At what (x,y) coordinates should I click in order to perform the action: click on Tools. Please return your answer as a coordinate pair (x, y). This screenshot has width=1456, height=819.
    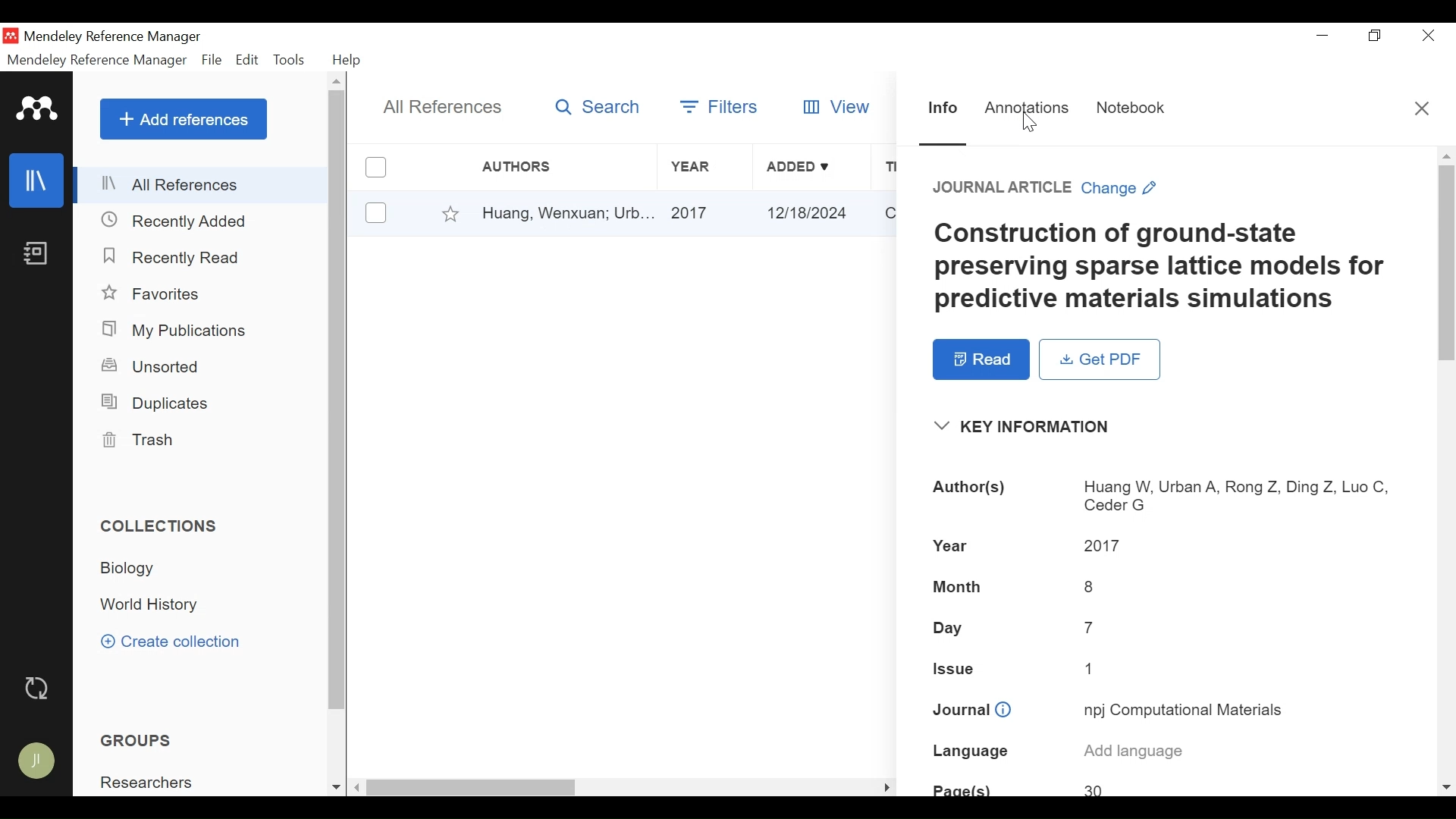
    Looking at the image, I should click on (292, 60).